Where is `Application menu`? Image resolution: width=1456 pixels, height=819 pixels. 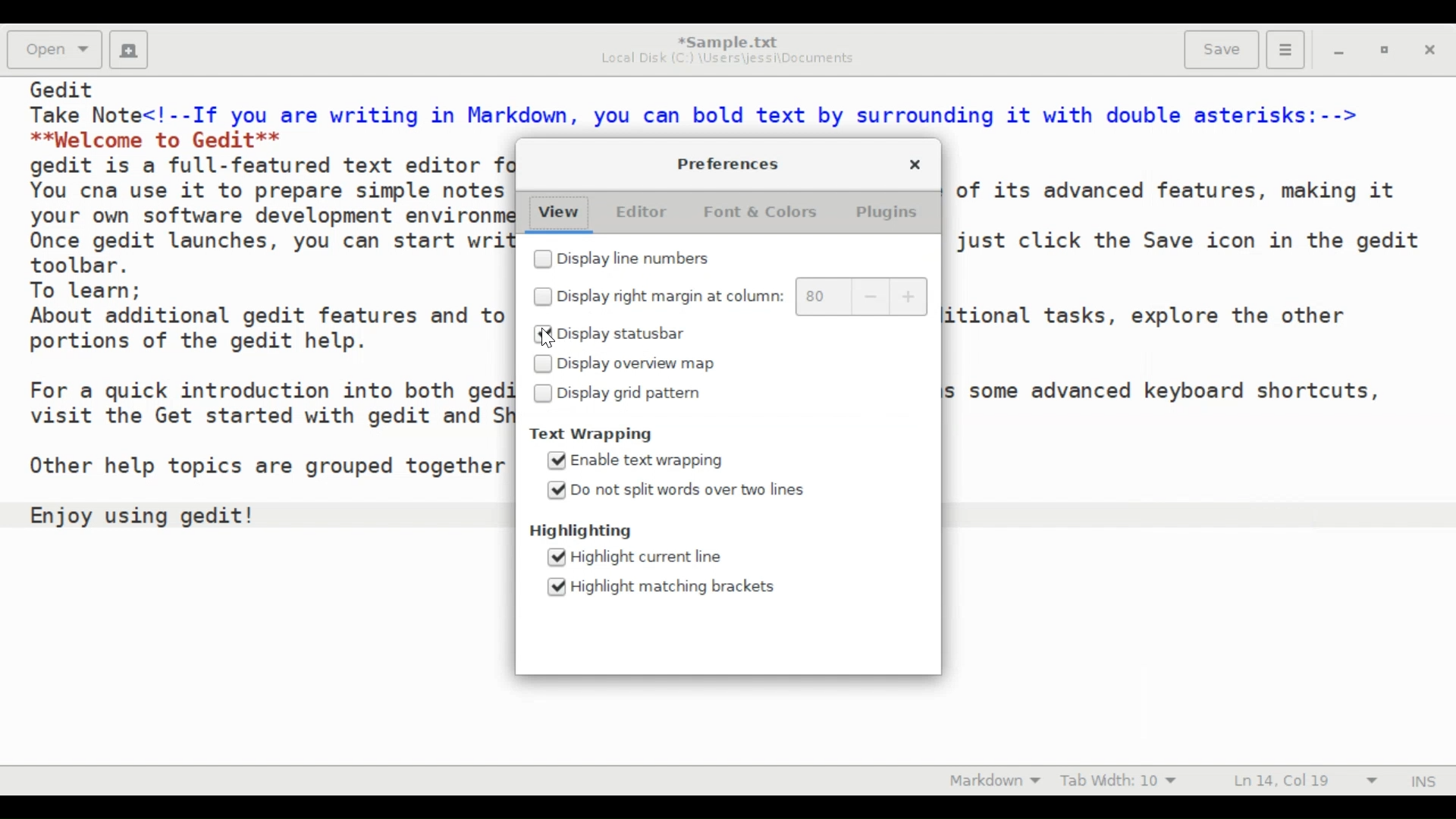 Application menu is located at coordinates (1285, 50).